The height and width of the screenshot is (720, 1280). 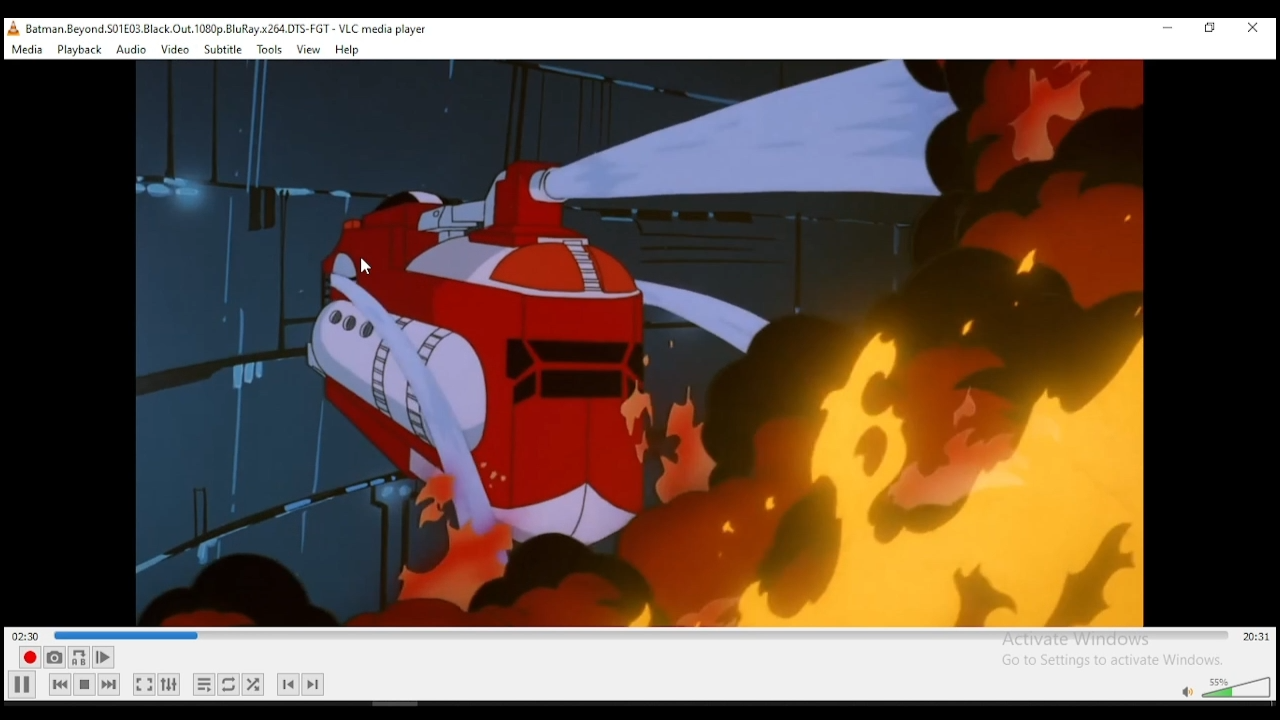 What do you see at coordinates (230, 684) in the screenshot?
I see `click to select between loop all, loop on, and no loop` at bounding box center [230, 684].